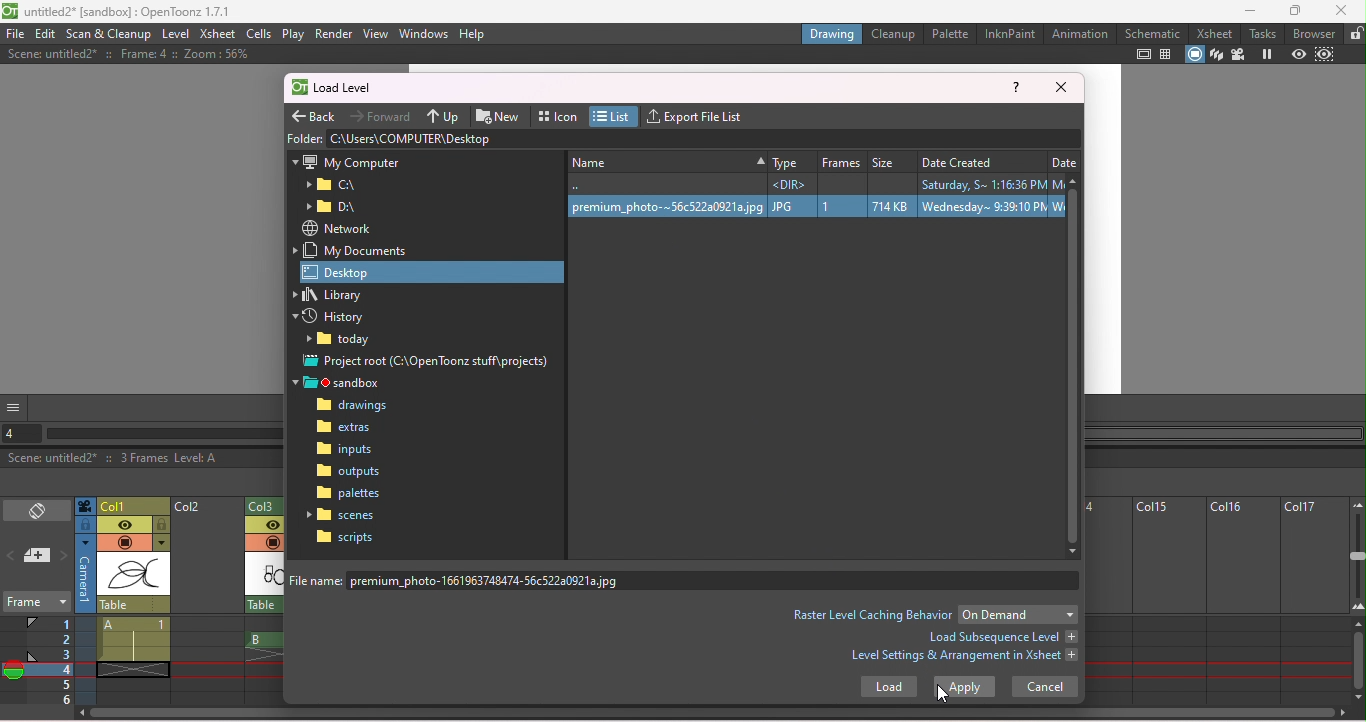 The height and width of the screenshot is (722, 1366). Describe the element at coordinates (501, 114) in the screenshot. I see `New` at that location.